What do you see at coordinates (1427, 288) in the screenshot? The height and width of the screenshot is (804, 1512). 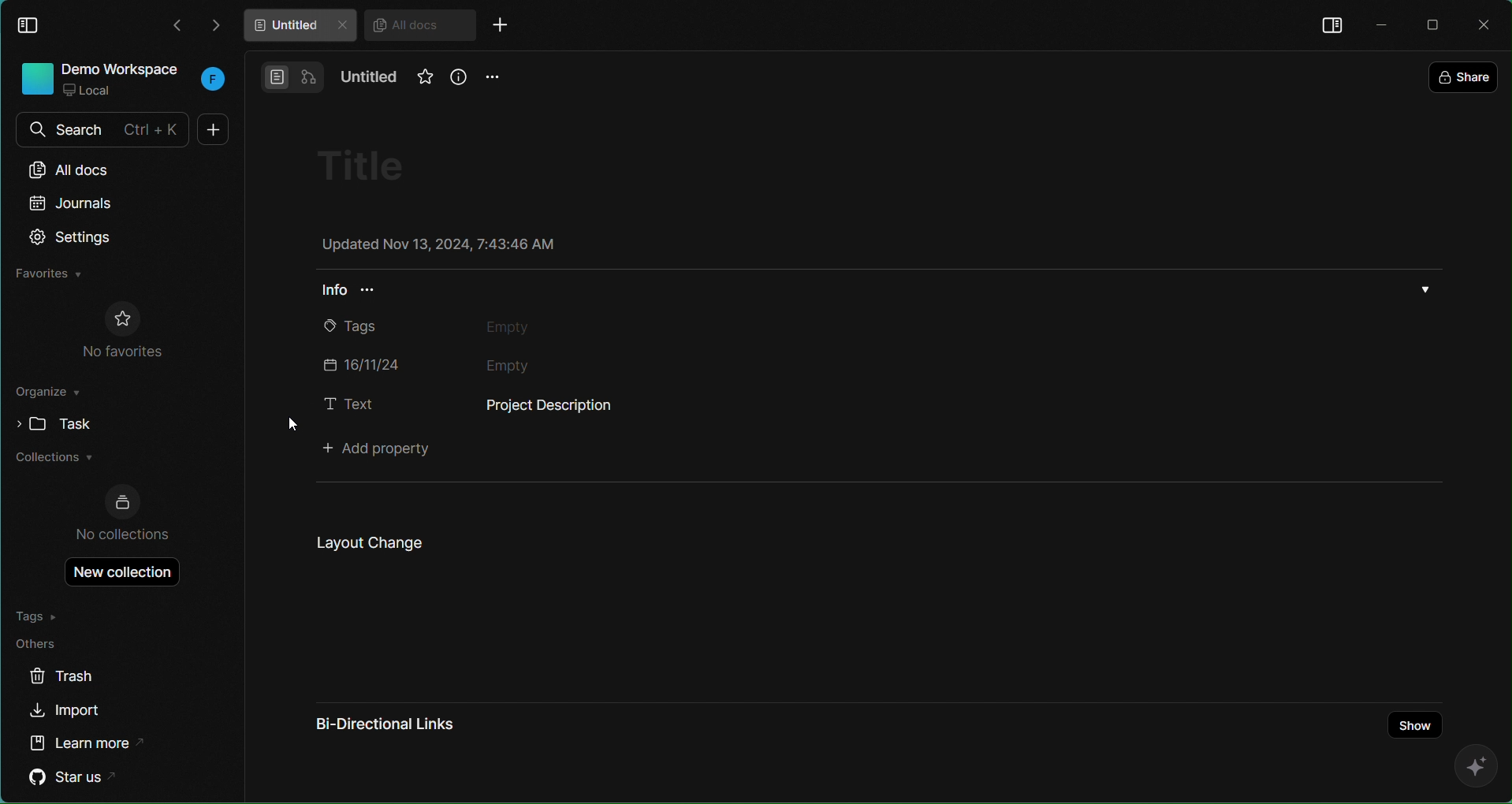 I see `Options` at bounding box center [1427, 288].